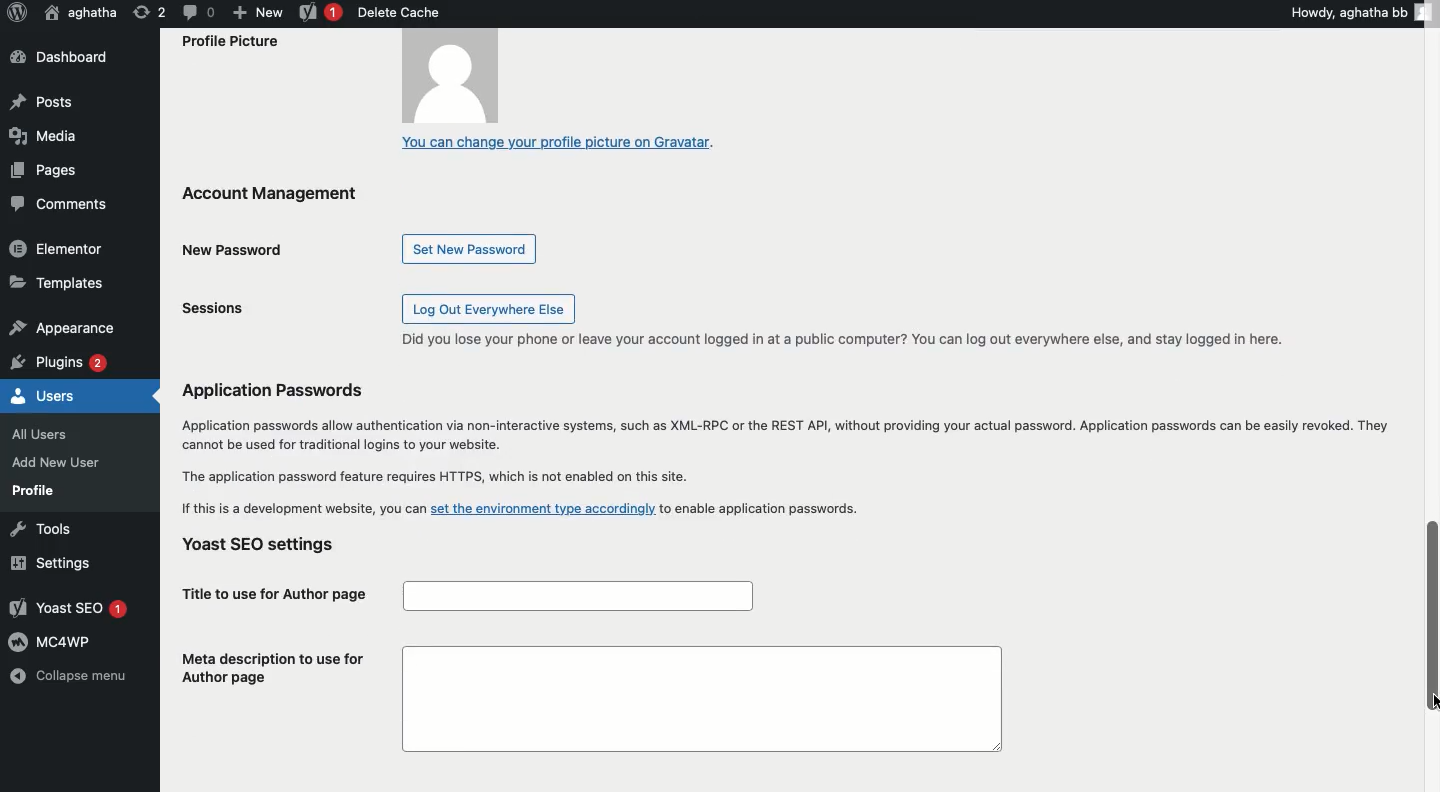  What do you see at coordinates (44, 394) in the screenshot?
I see `Users` at bounding box center [44, 394].